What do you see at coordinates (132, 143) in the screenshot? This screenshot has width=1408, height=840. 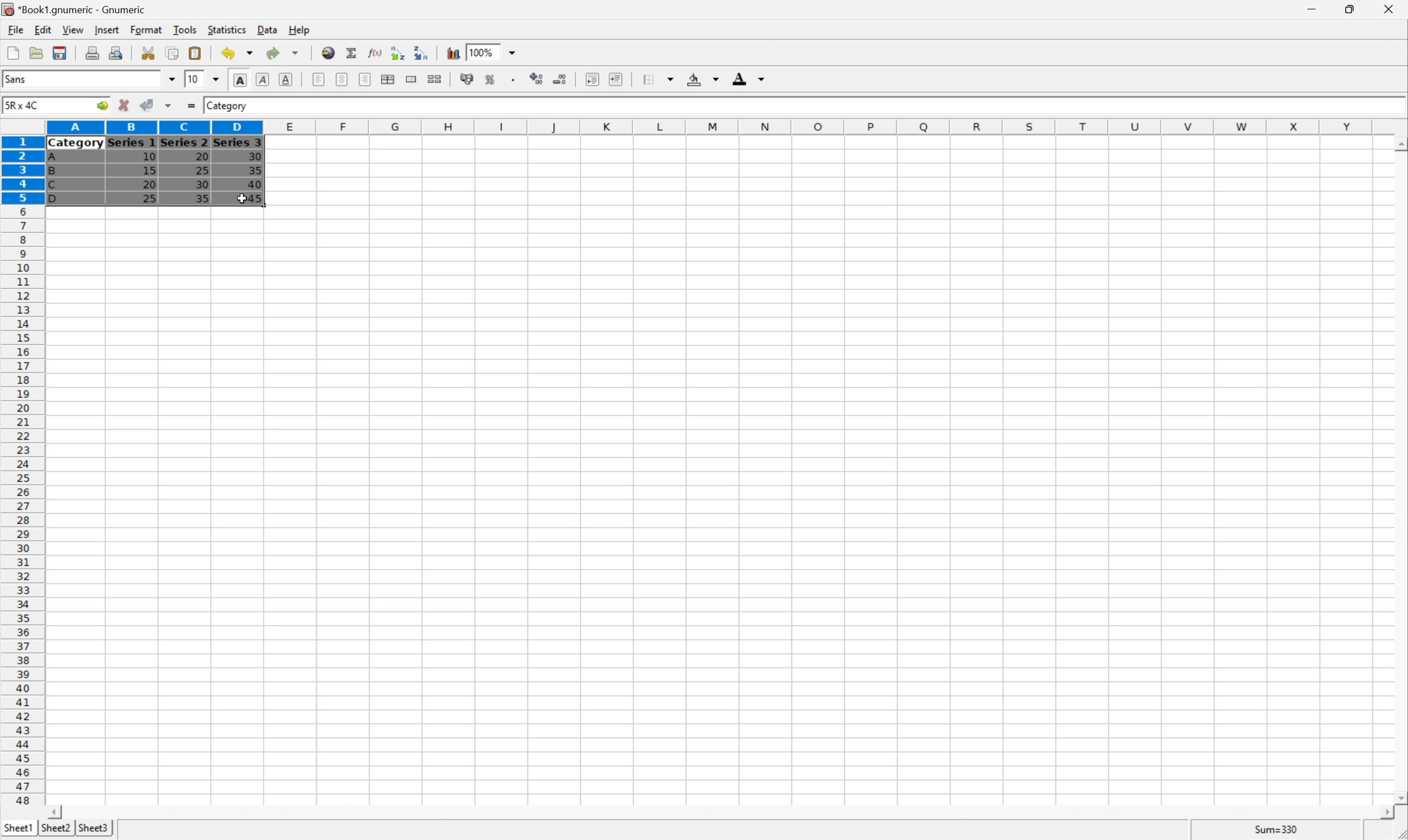 I see `Series 1` at bounding box center [132, 143].